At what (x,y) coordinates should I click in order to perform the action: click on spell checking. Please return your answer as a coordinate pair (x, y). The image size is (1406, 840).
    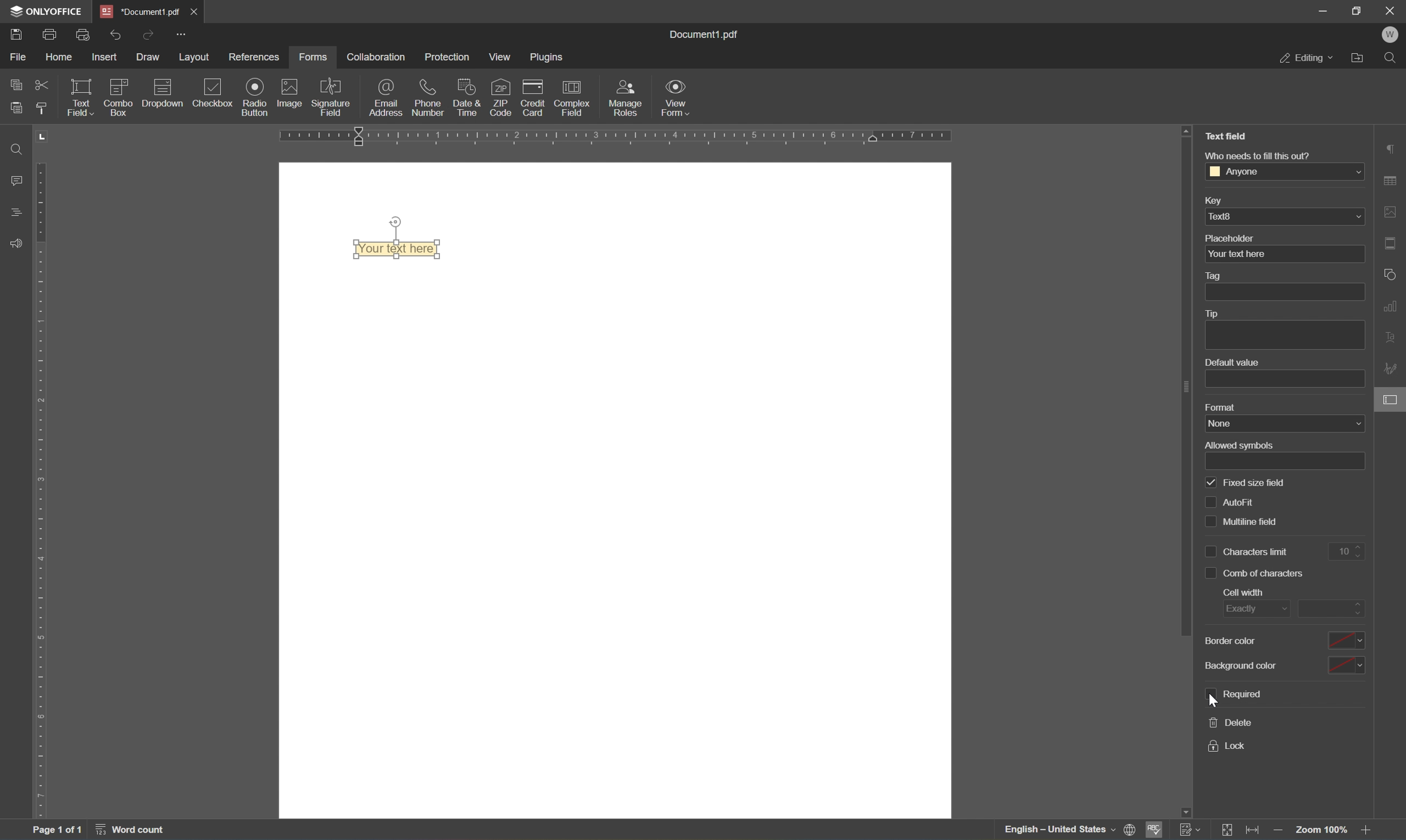
    Looking at the image, I should click on (1154, 830).